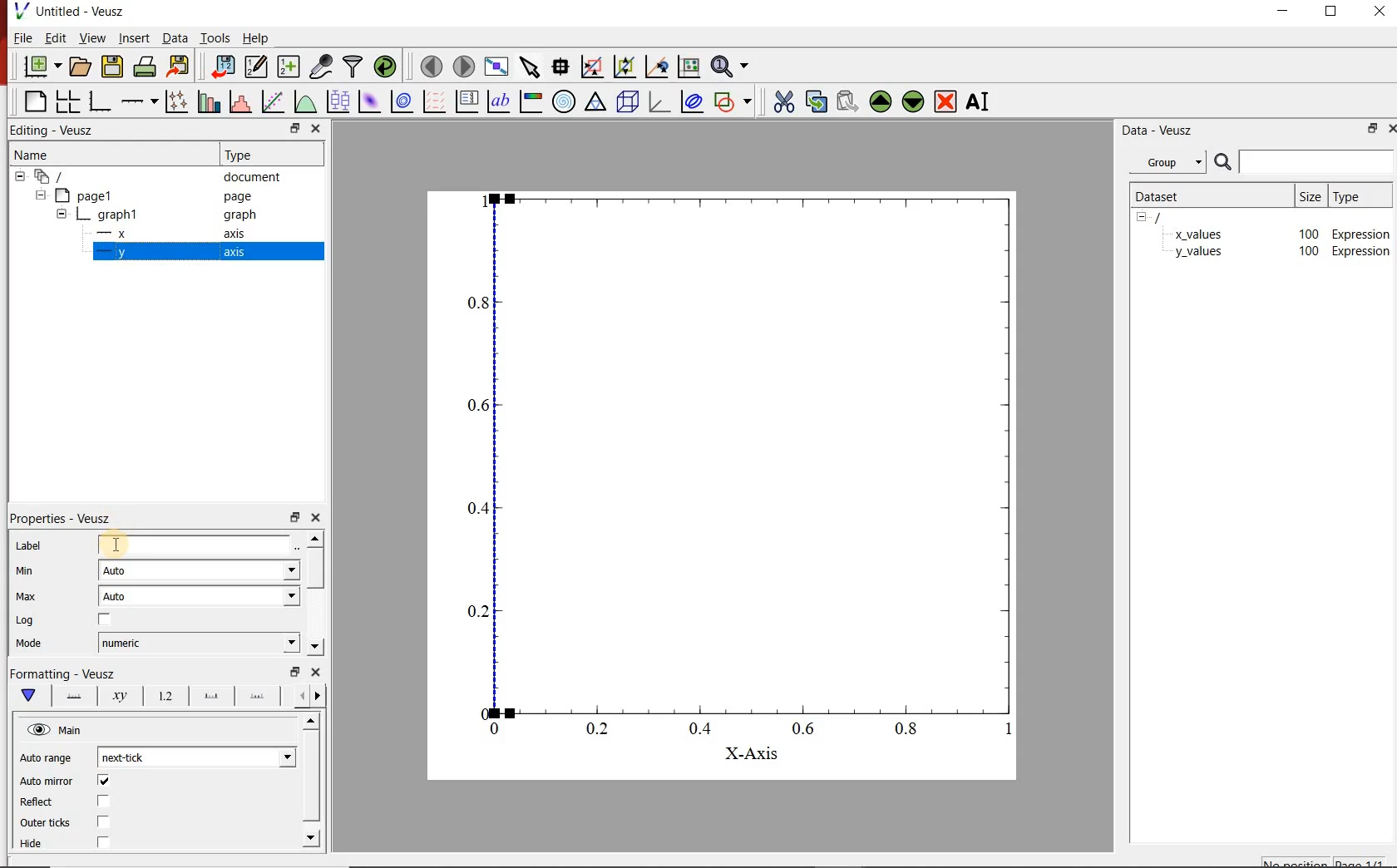 The width and height of the screenshot is (1397, 868). What do you see at coordinates (234, 253) in the screenshot?
I see `axis` at bounding box center [234, 253].